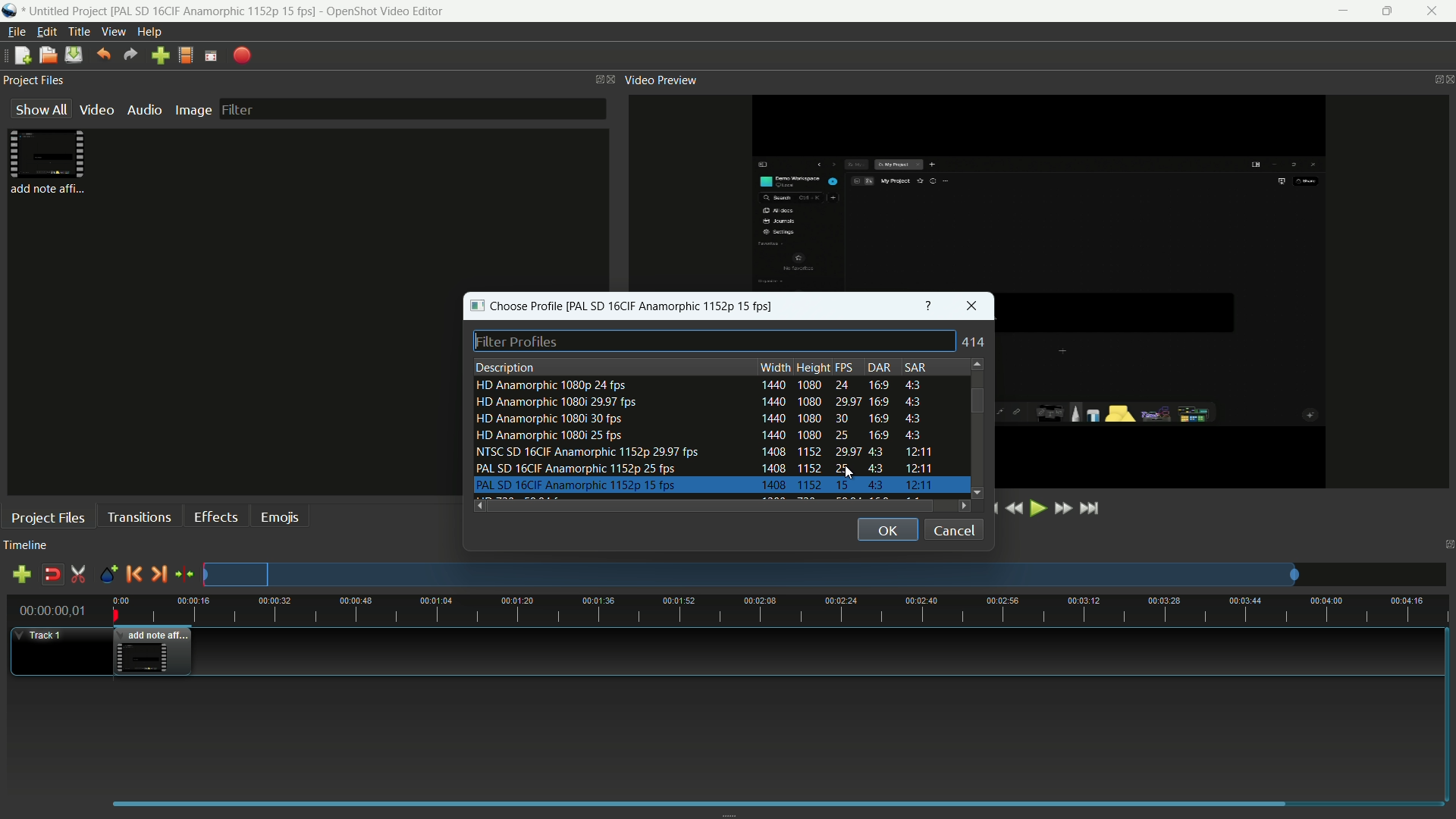 The width and height of the screenshot is (1456, 819). Describe the element at coordinates (46, 55) in the screenshot. I see `open file` at that location.